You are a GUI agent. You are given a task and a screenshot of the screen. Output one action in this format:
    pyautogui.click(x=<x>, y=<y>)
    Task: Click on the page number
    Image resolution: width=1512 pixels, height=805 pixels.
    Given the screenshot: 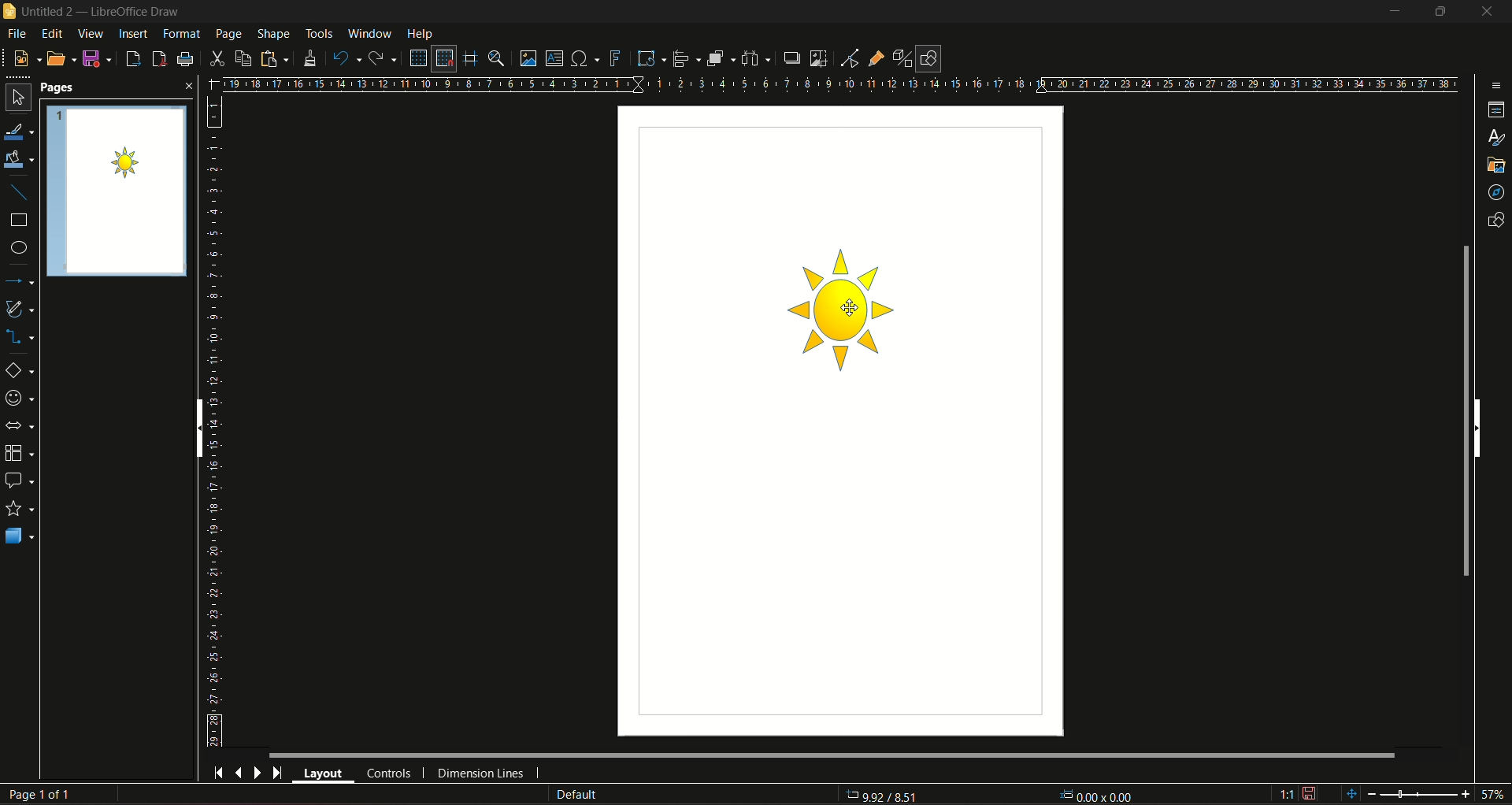 What is the action you would take?
    pyautogui.click(x=41, y=793)
    